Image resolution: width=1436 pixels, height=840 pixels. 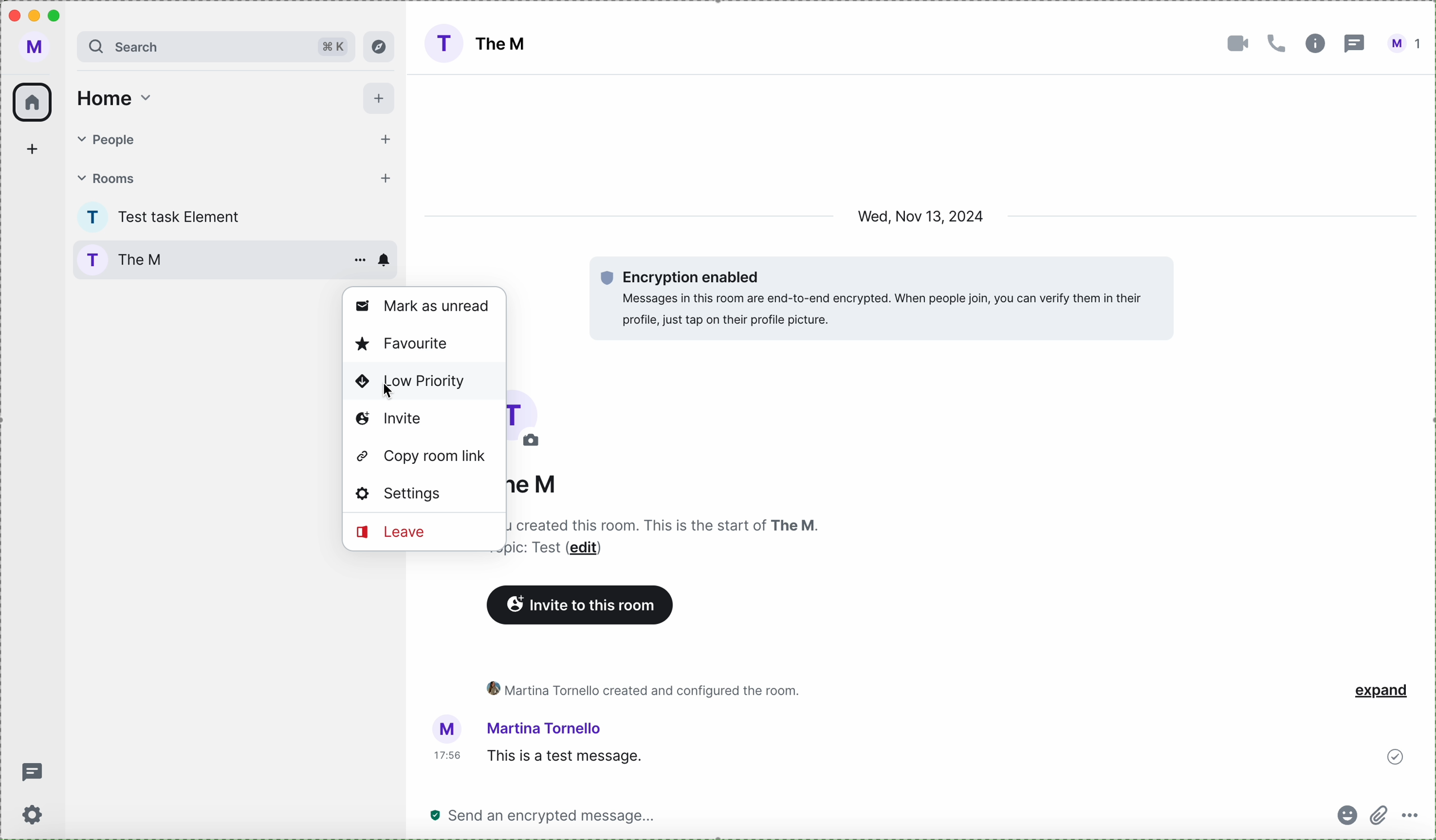 What do you see at coordinates (551, 728) in the screenshot?
I see `user` at bounding box center [551, 728].